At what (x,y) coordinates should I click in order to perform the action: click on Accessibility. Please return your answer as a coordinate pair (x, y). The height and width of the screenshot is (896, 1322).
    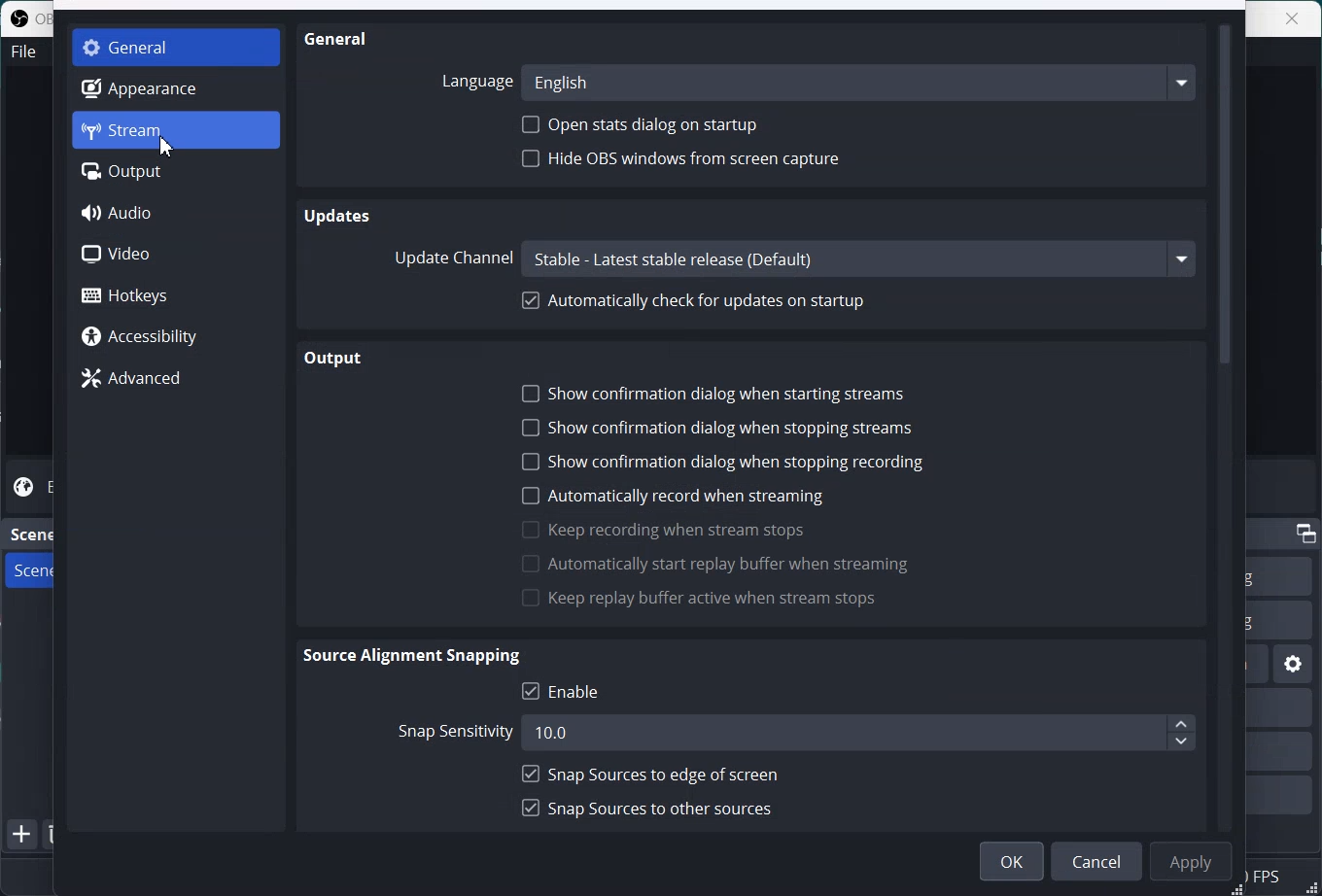
    Looking at the image, I should click on (175, 338).